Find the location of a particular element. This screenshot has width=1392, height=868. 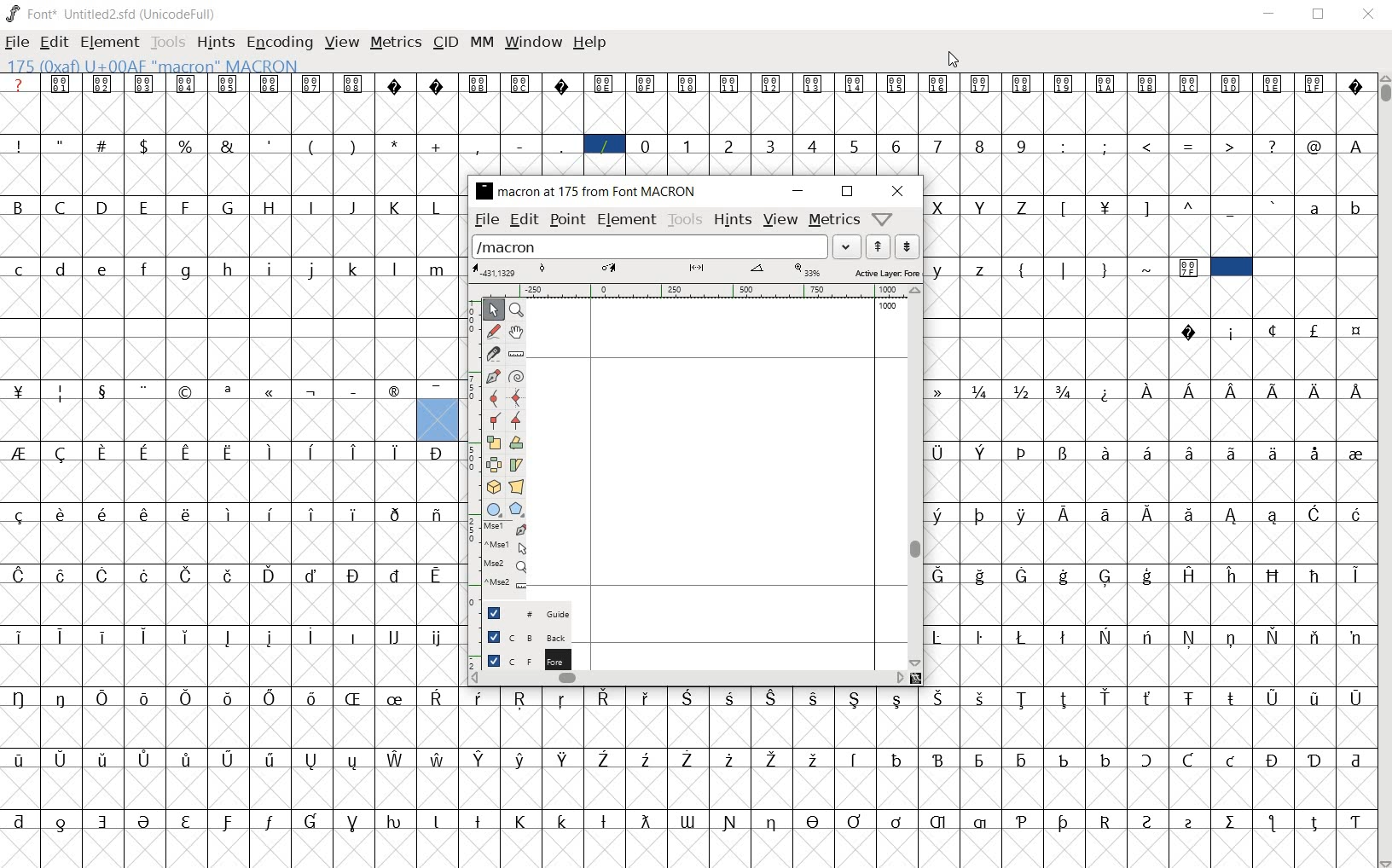

rectangle/ellipse is located at coordinates (496, 508).